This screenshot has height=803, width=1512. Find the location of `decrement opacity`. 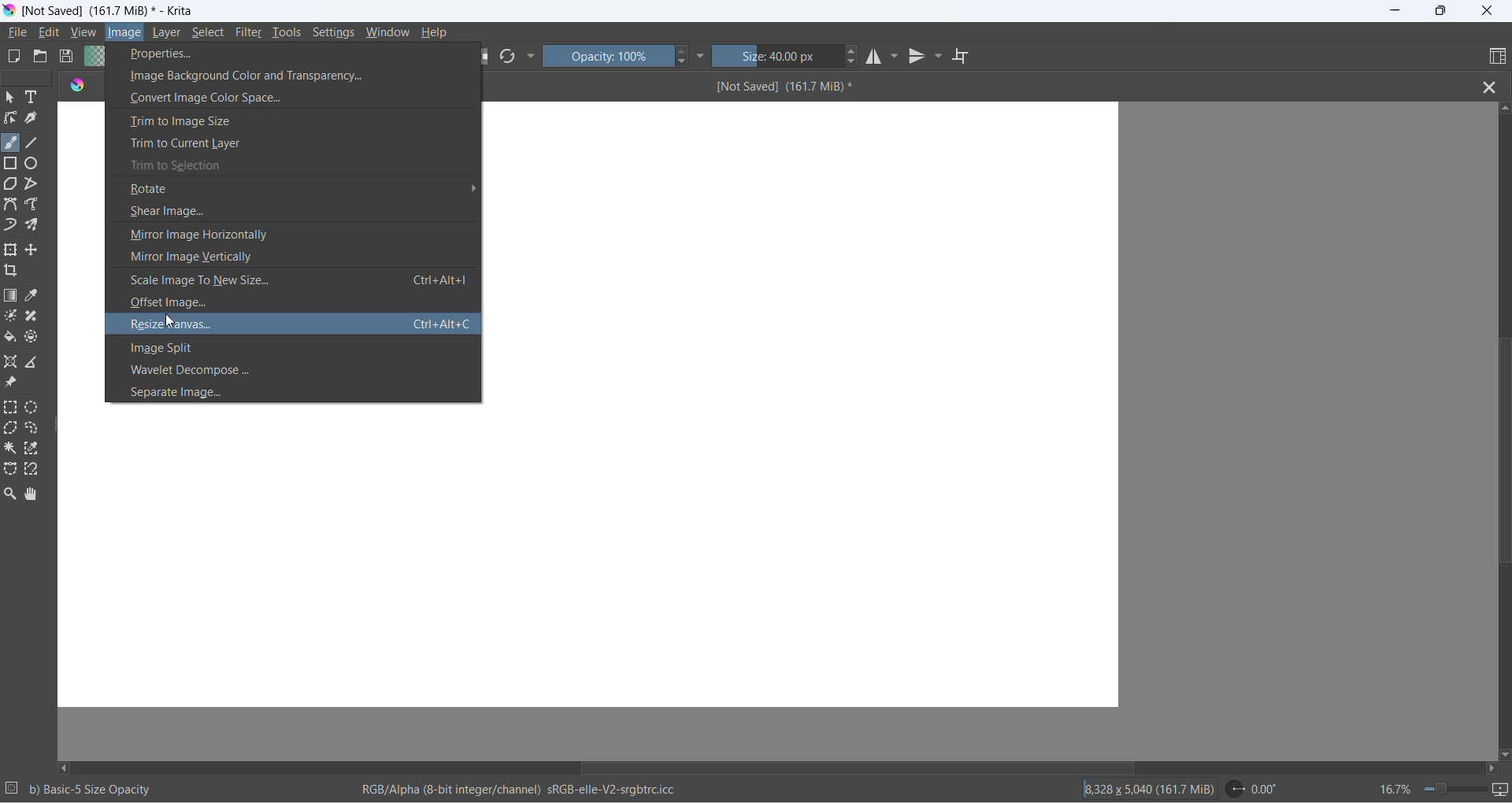

decrement opacity is located at coordinates (684, 65).